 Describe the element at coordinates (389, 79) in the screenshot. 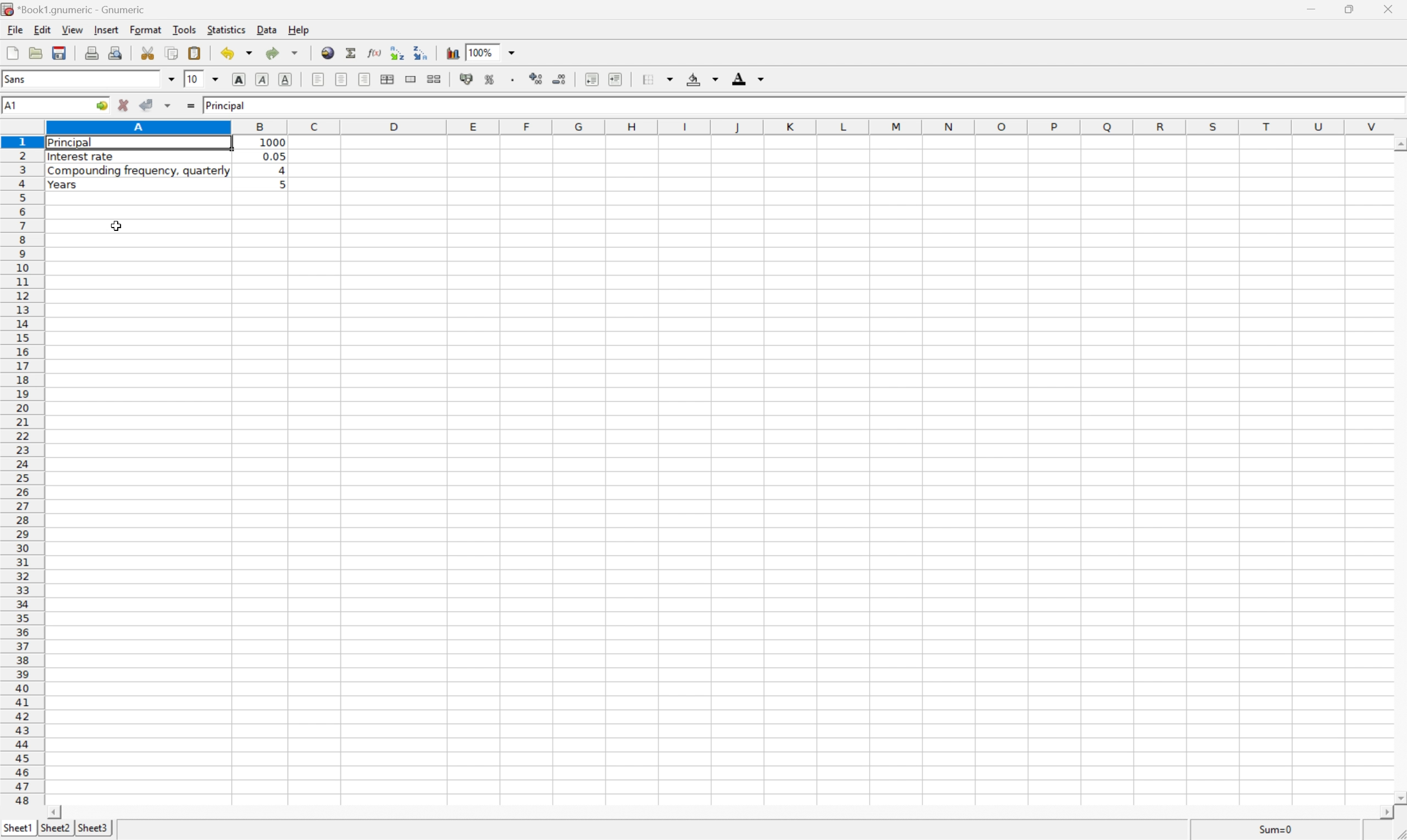

I see `center horizontally` at that location.